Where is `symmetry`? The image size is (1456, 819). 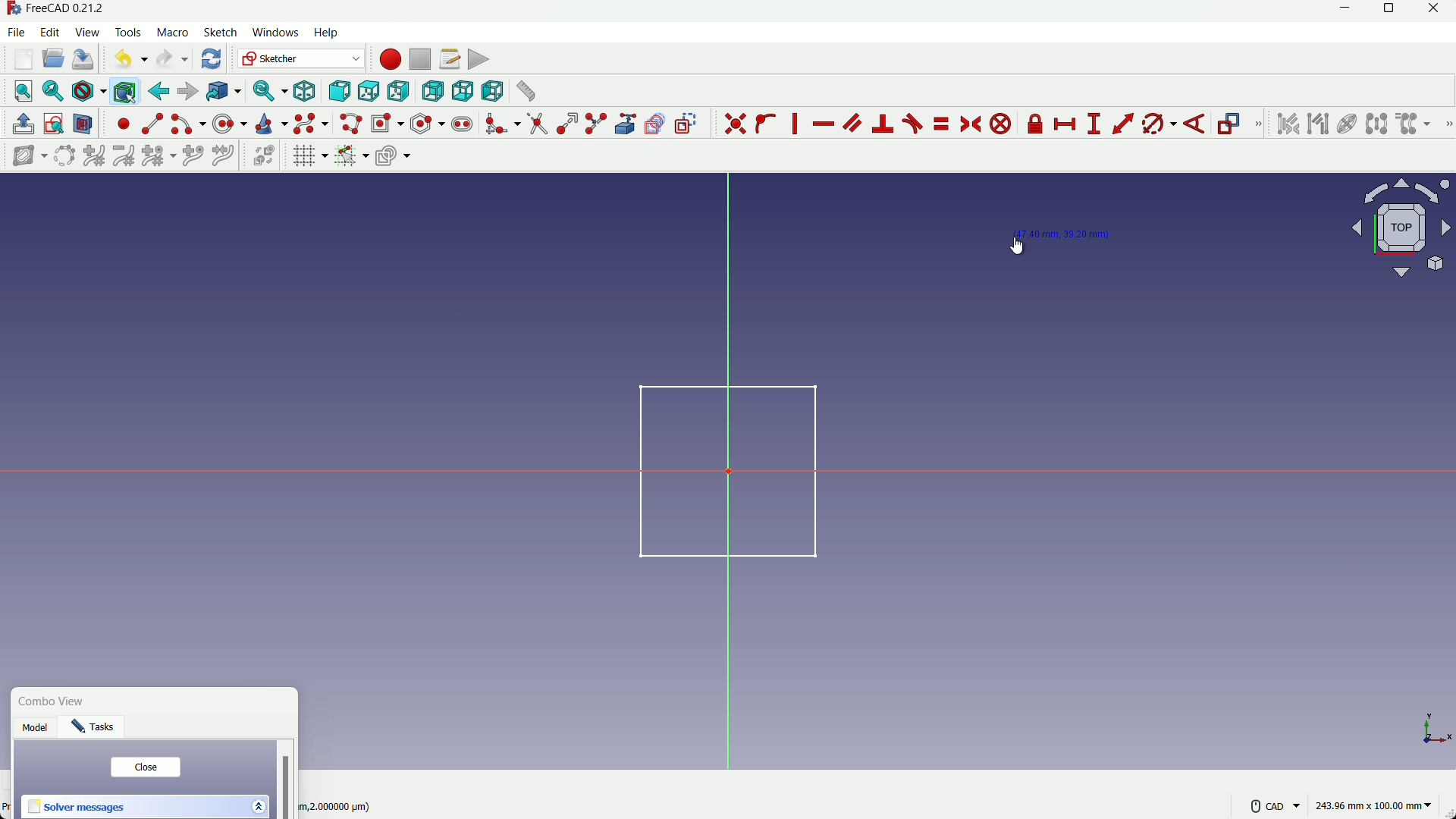
symmetry is located at coordinates (1376, 124).